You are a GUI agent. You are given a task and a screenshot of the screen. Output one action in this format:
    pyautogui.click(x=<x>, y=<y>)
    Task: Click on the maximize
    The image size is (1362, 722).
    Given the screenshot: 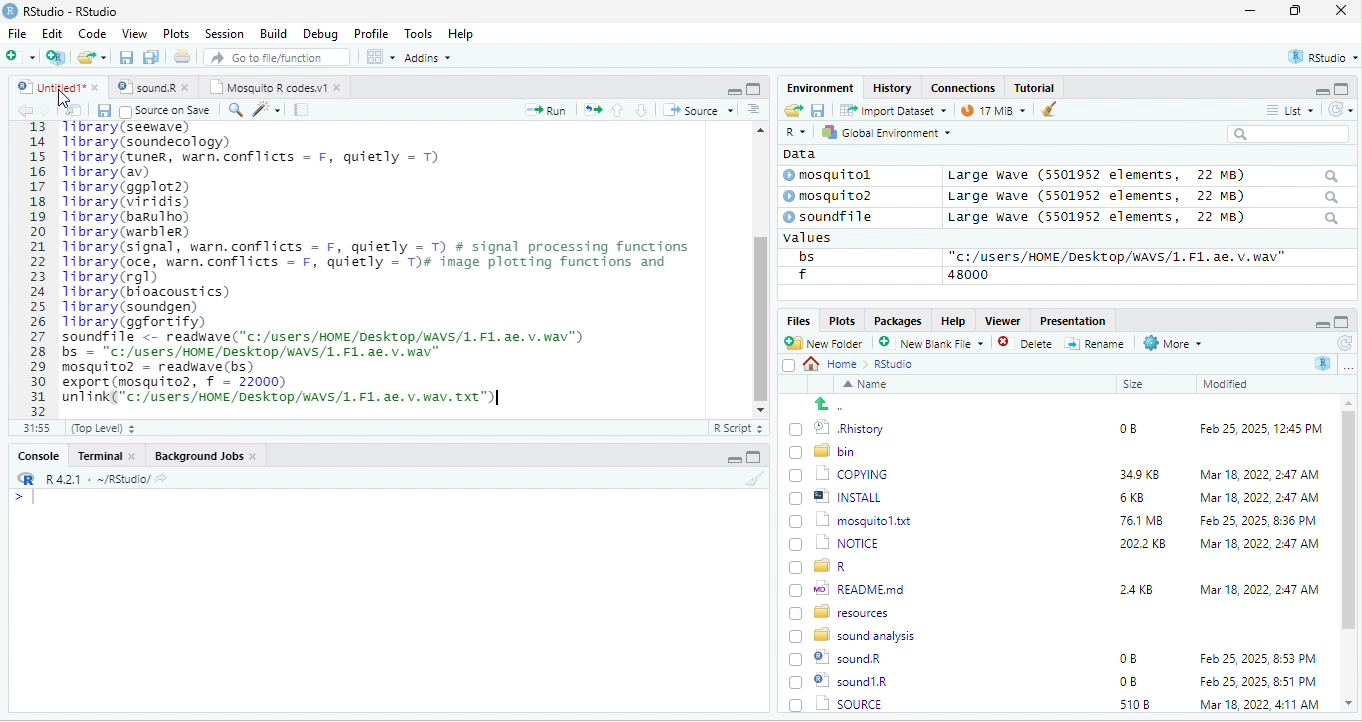 What is the action you would take?
    pyautogui.click(x=1299, y=12)
    